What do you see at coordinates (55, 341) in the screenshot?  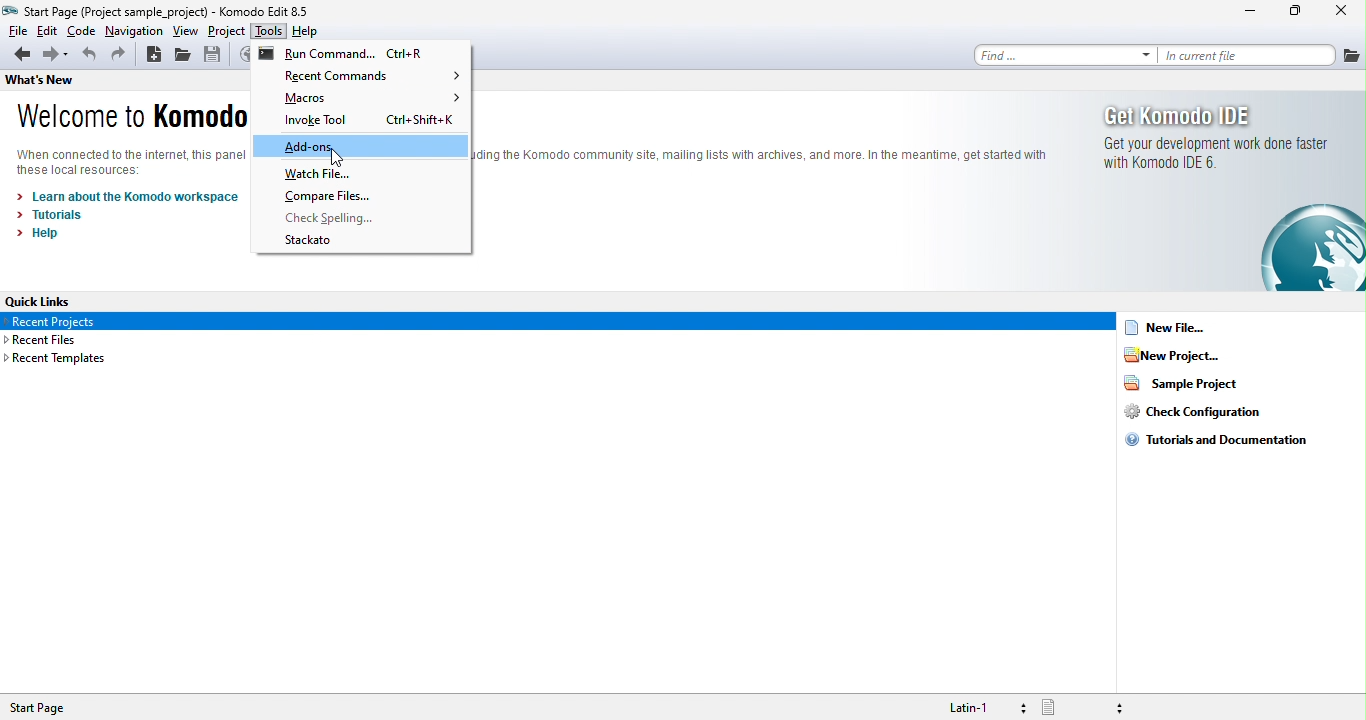 I see `recent files` at bounding box center [55, 341].